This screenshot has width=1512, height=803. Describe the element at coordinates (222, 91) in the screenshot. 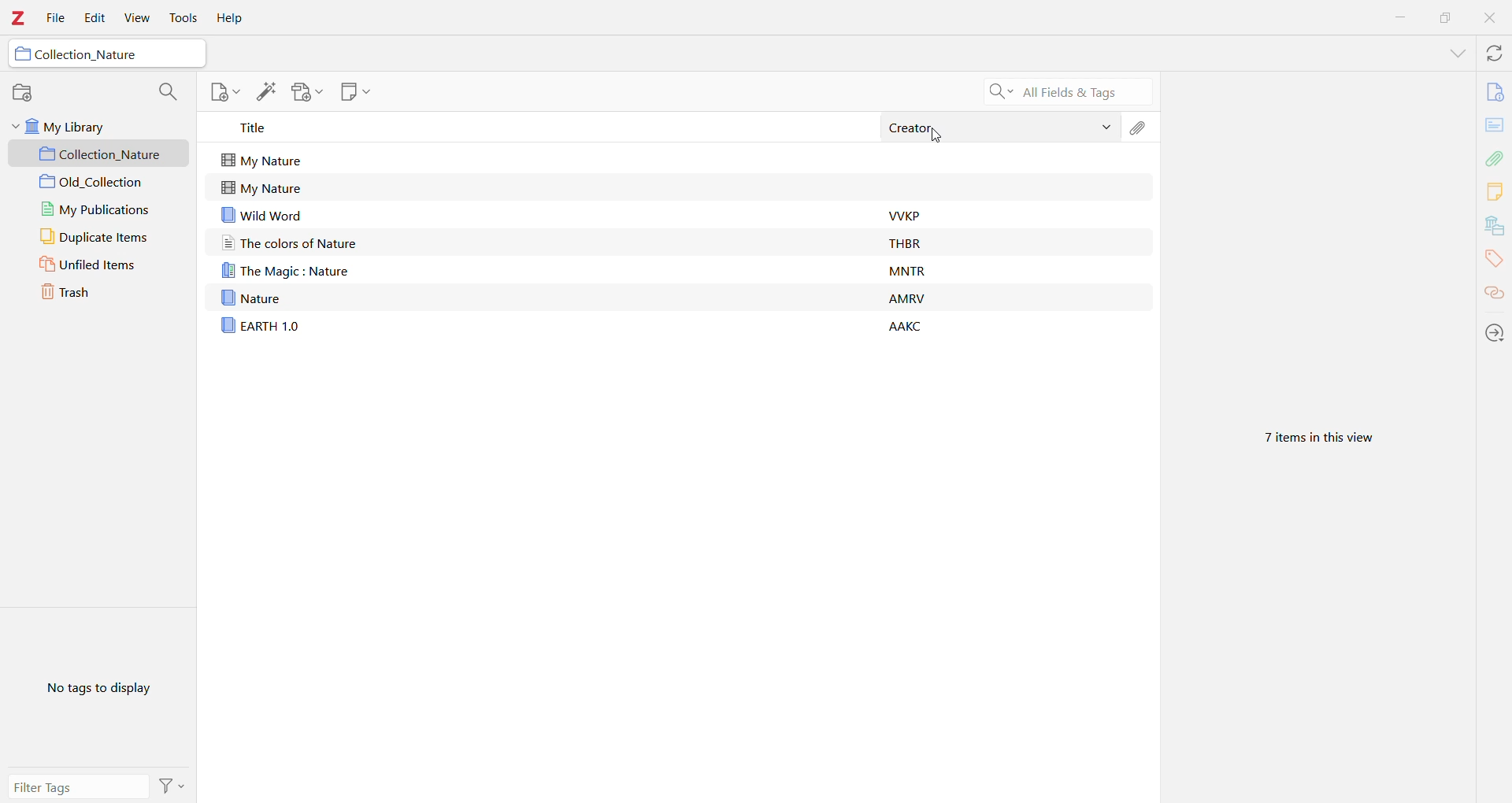

I see `New Note` at that location.